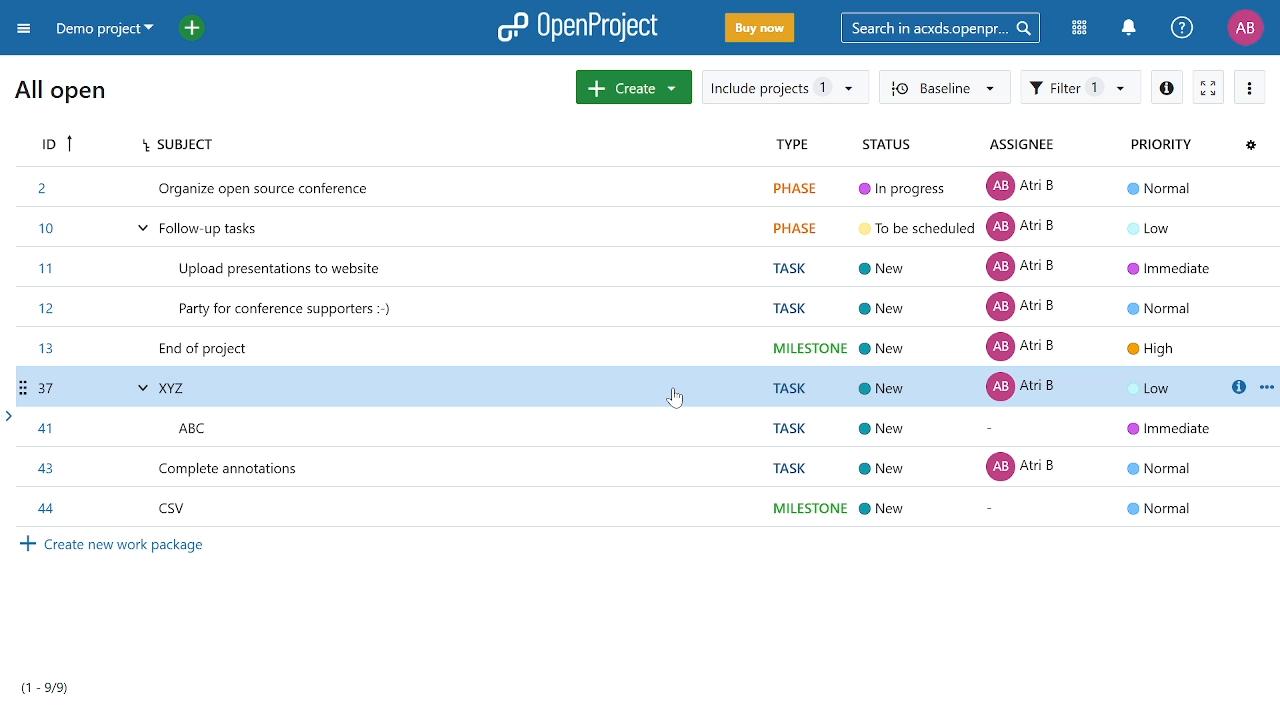 The height and width of the screenshot is (720, 1280). I want to click on Projects, so click(106, 31).